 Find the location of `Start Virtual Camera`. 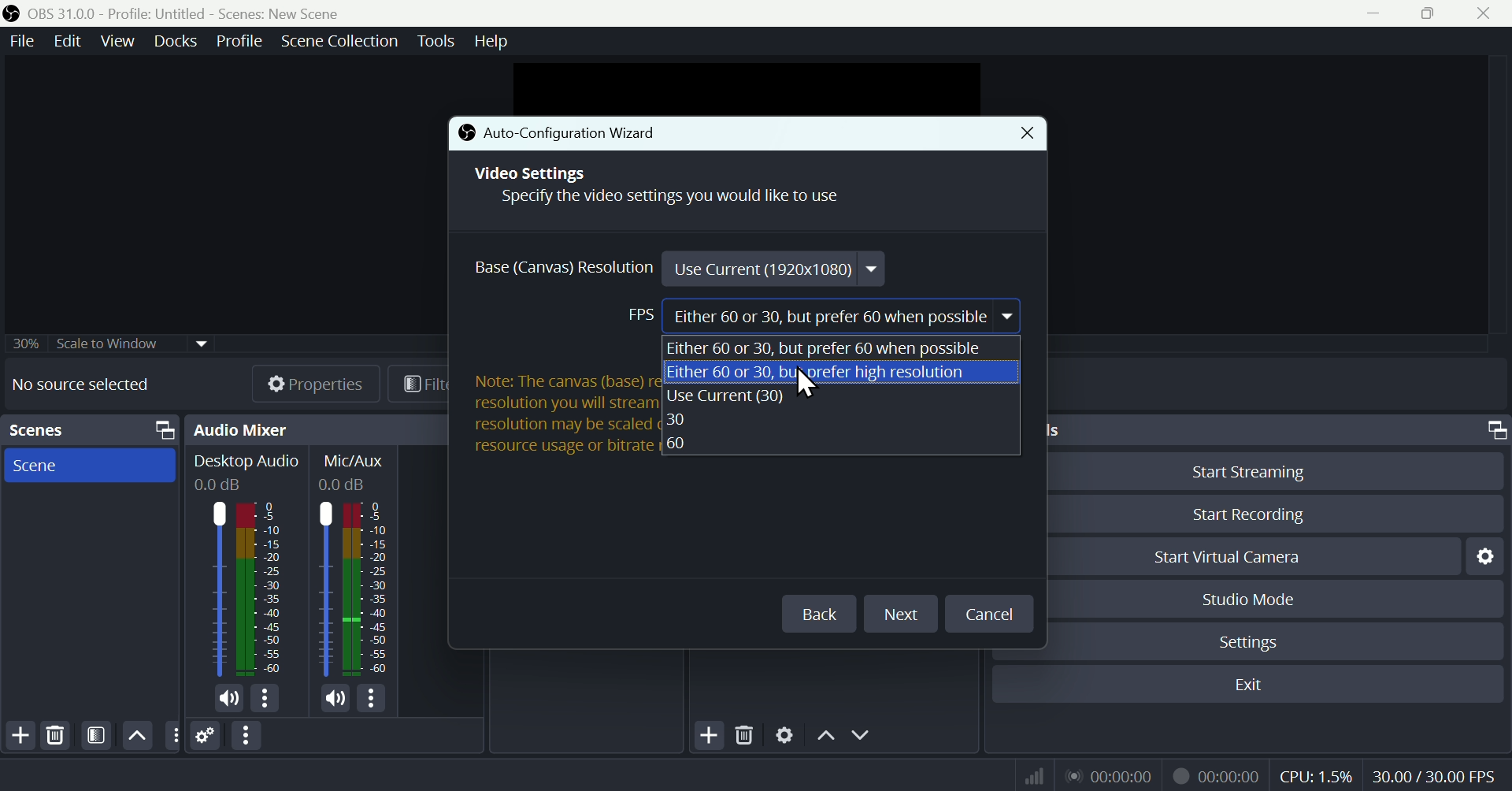

Start Virtual Camera is located at coordinates (1250, 555).